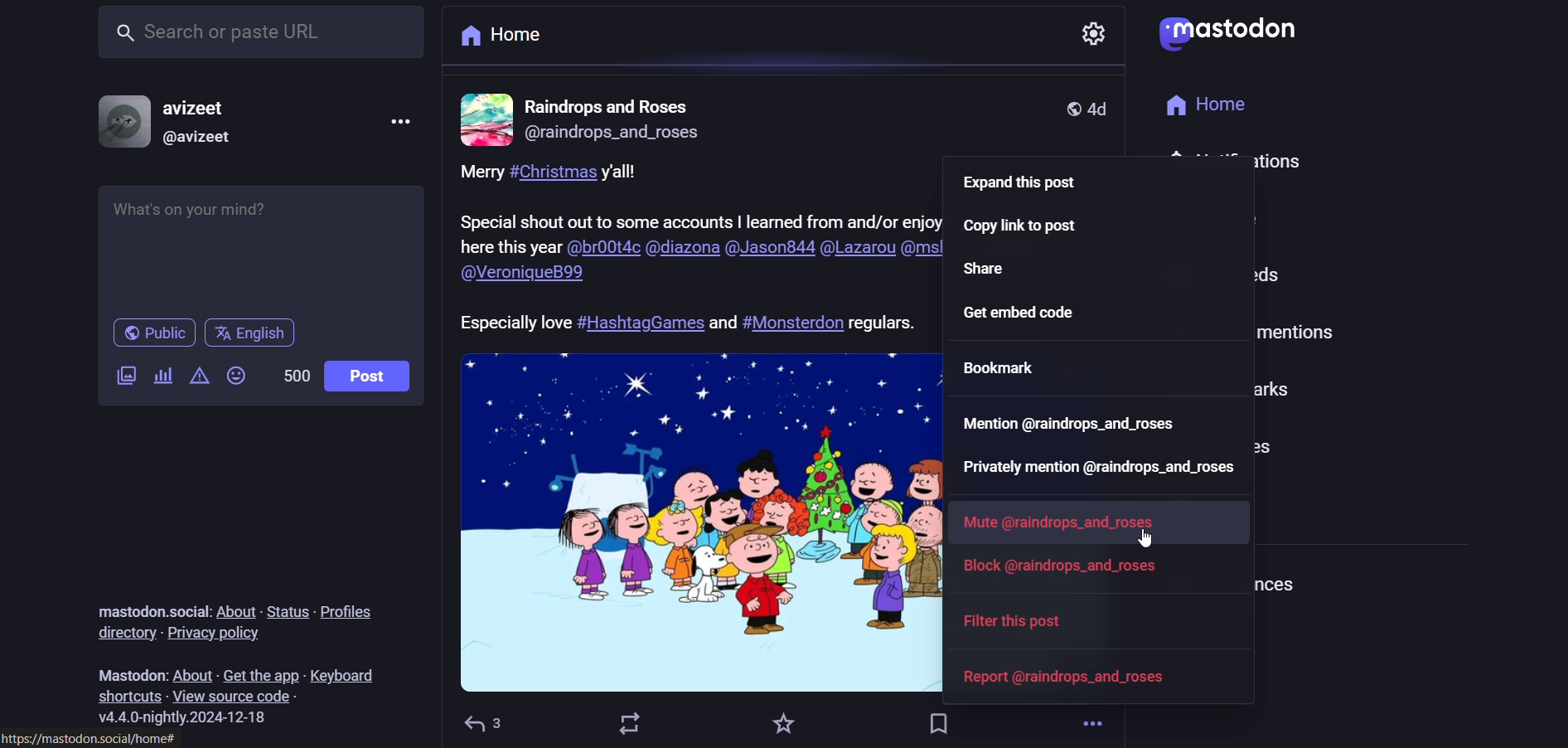 The height and width of the screenshot is (748, 1568). What do you see at coordinates (510, 248) in the screenshot?
I see `here this year` at bounding box center [510, 248].